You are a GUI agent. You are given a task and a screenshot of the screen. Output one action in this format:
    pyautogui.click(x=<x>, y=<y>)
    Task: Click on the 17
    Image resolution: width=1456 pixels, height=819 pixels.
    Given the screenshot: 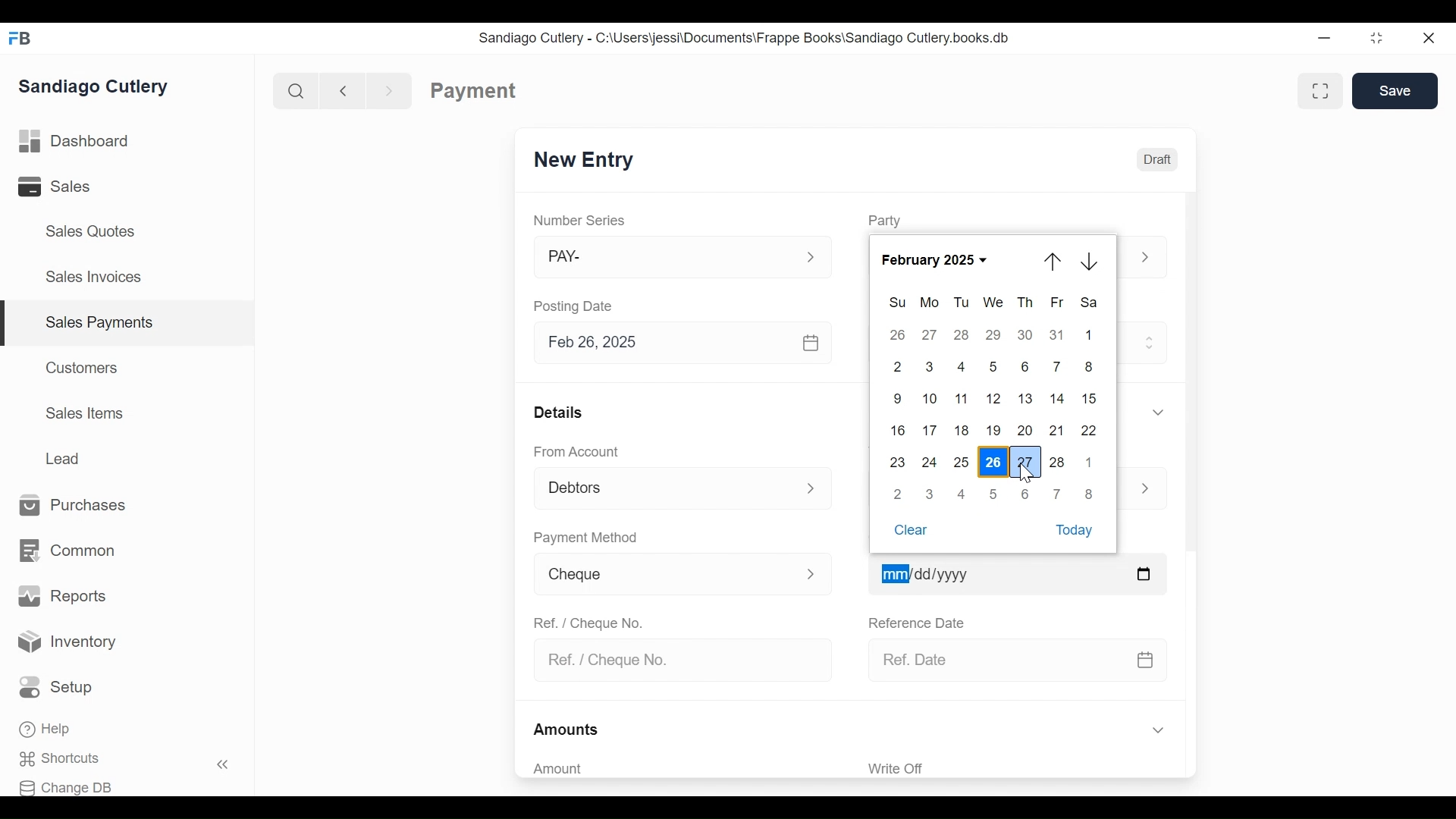 What is the action you would take?
    pyautogui.click(x=931, y=429)
    